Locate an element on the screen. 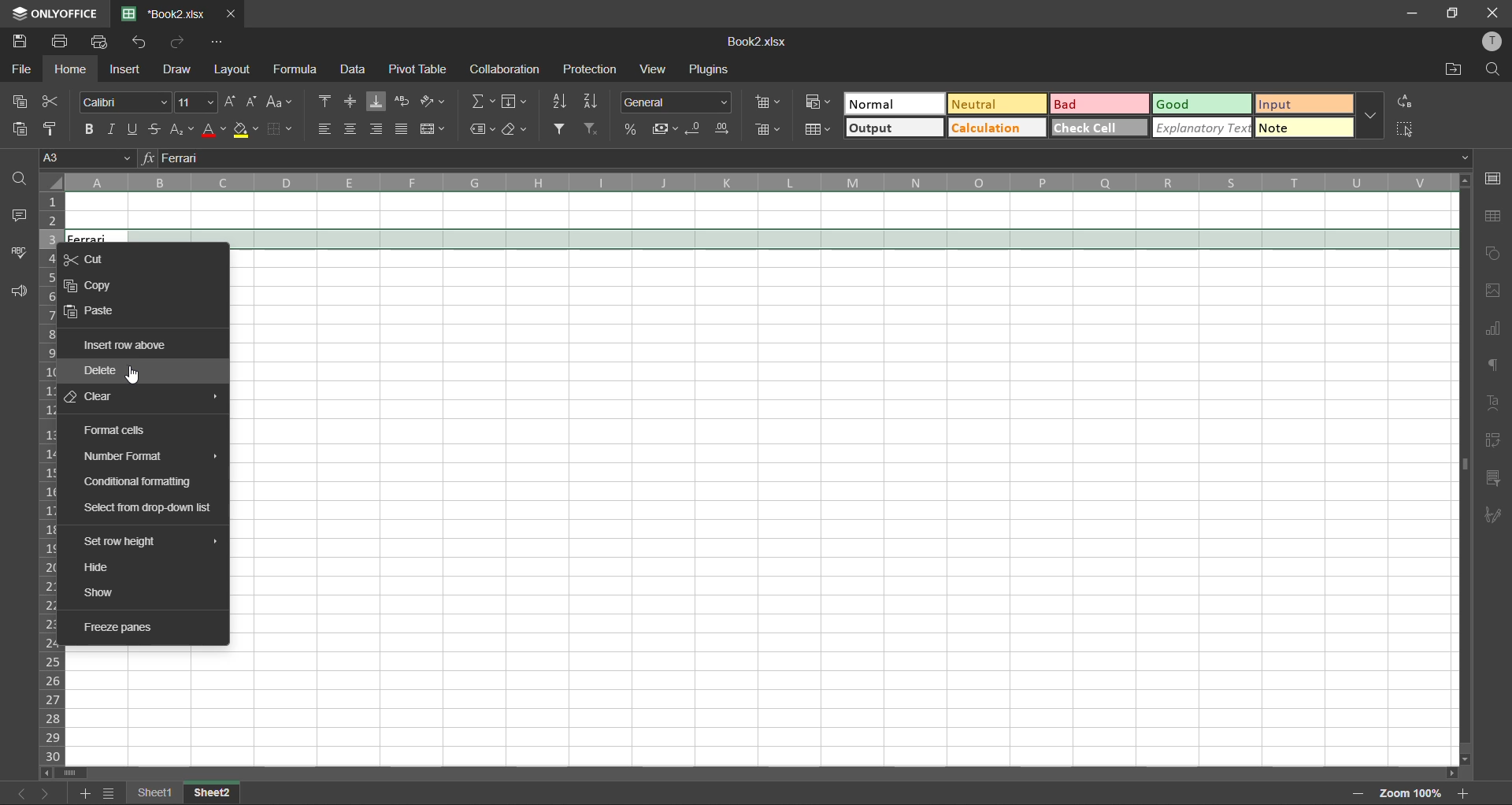 The height and width of the screenshot is (805, 1512). bold is located at coordinates (87, 128).